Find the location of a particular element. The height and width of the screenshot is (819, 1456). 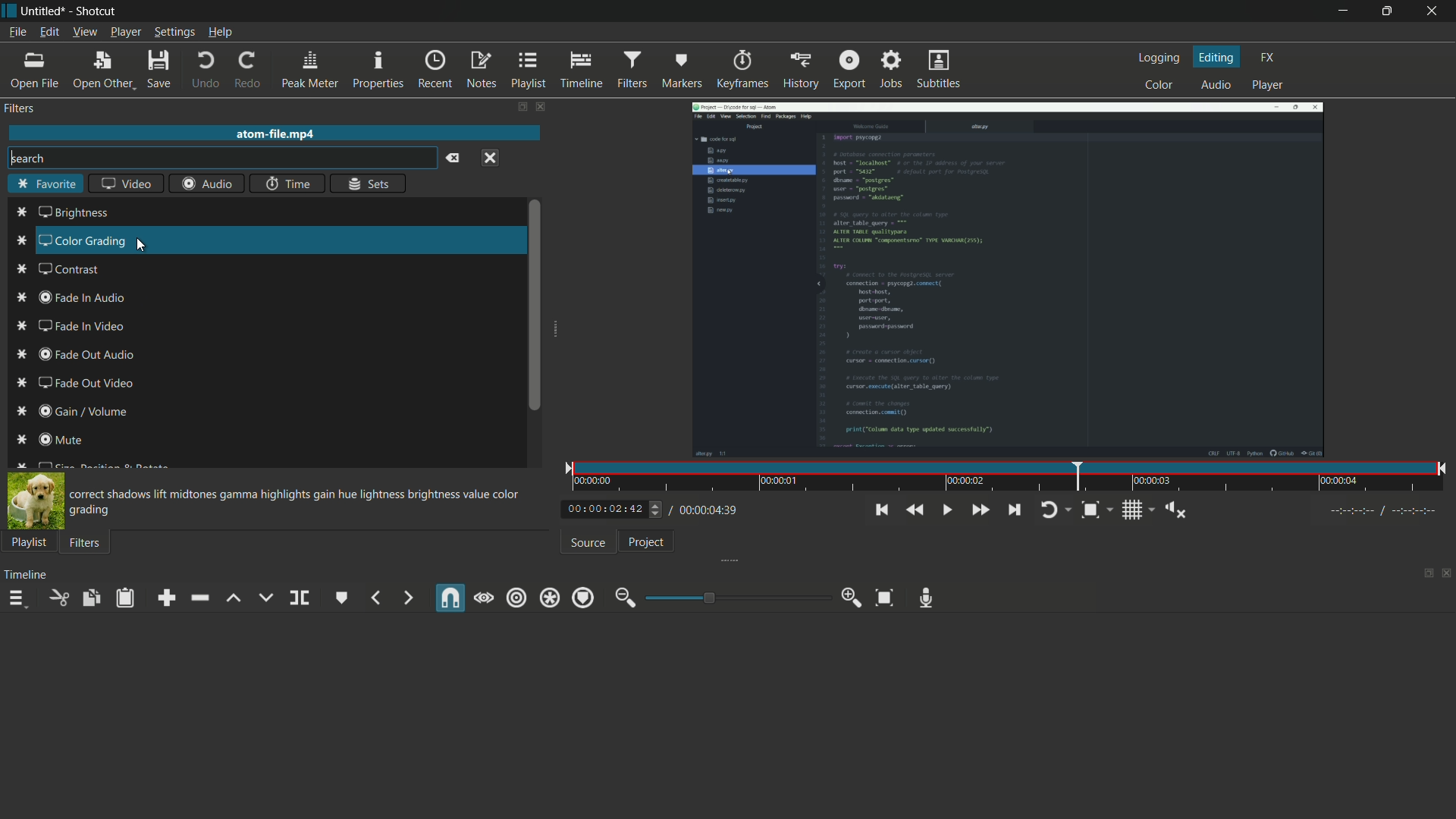

cursor is located at coordinates (143, 246).